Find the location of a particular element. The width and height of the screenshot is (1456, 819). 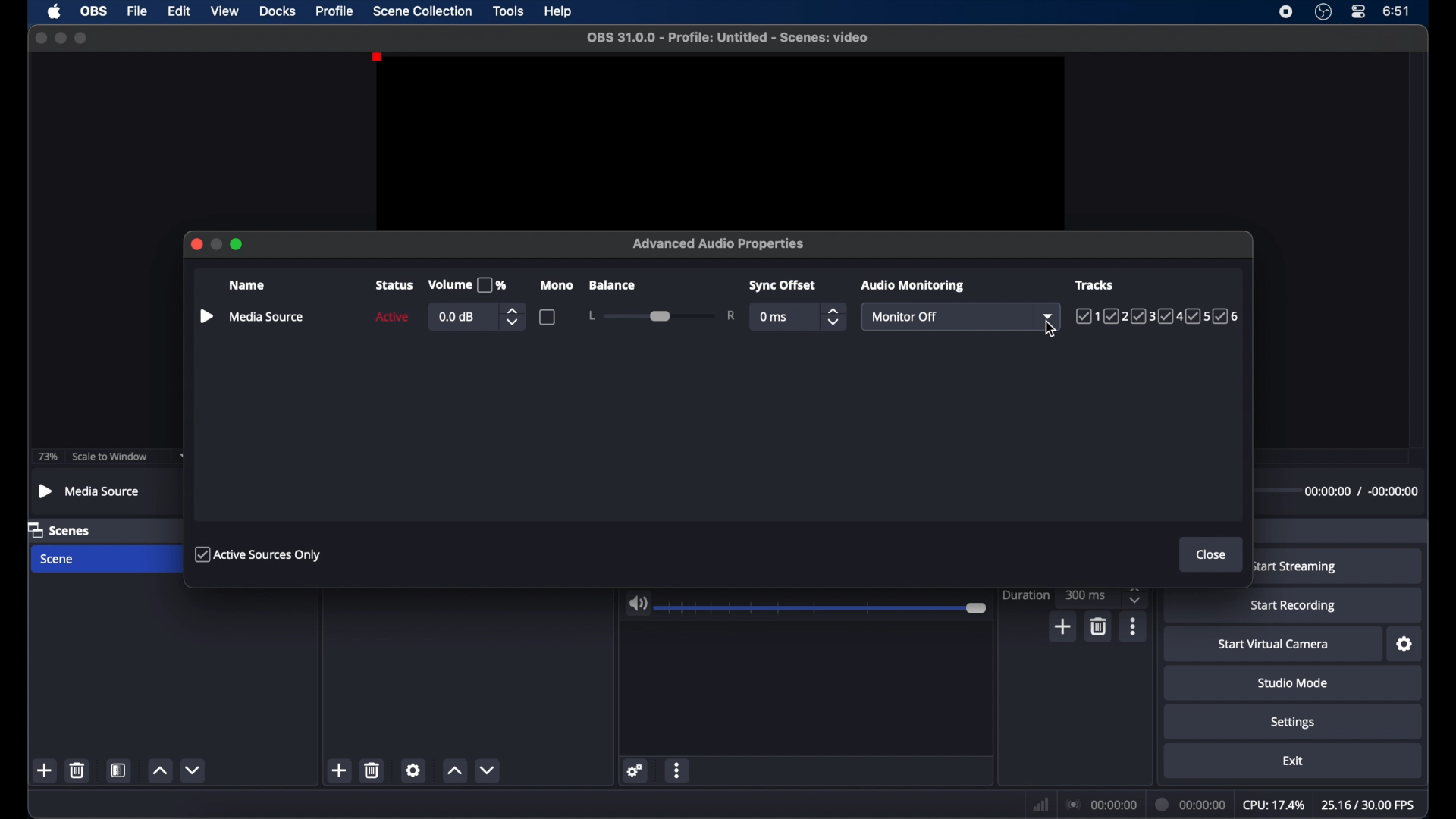

delete is located at coordinates (77, 770).